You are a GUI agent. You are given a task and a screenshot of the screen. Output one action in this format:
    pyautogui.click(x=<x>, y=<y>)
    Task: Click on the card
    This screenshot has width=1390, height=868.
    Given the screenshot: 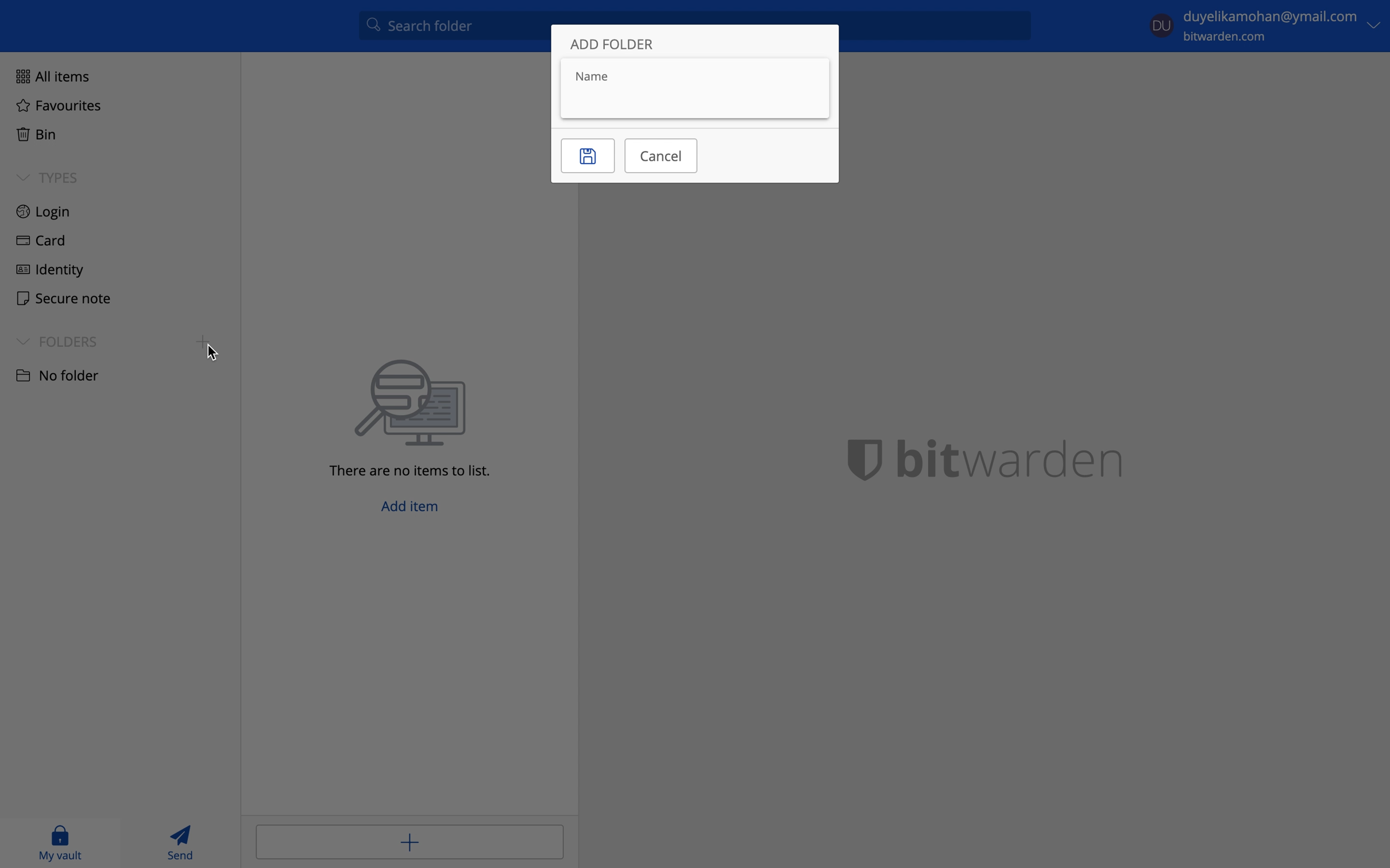 What is the action you would take?
    pyautogui.click(x=38, y=242)
    